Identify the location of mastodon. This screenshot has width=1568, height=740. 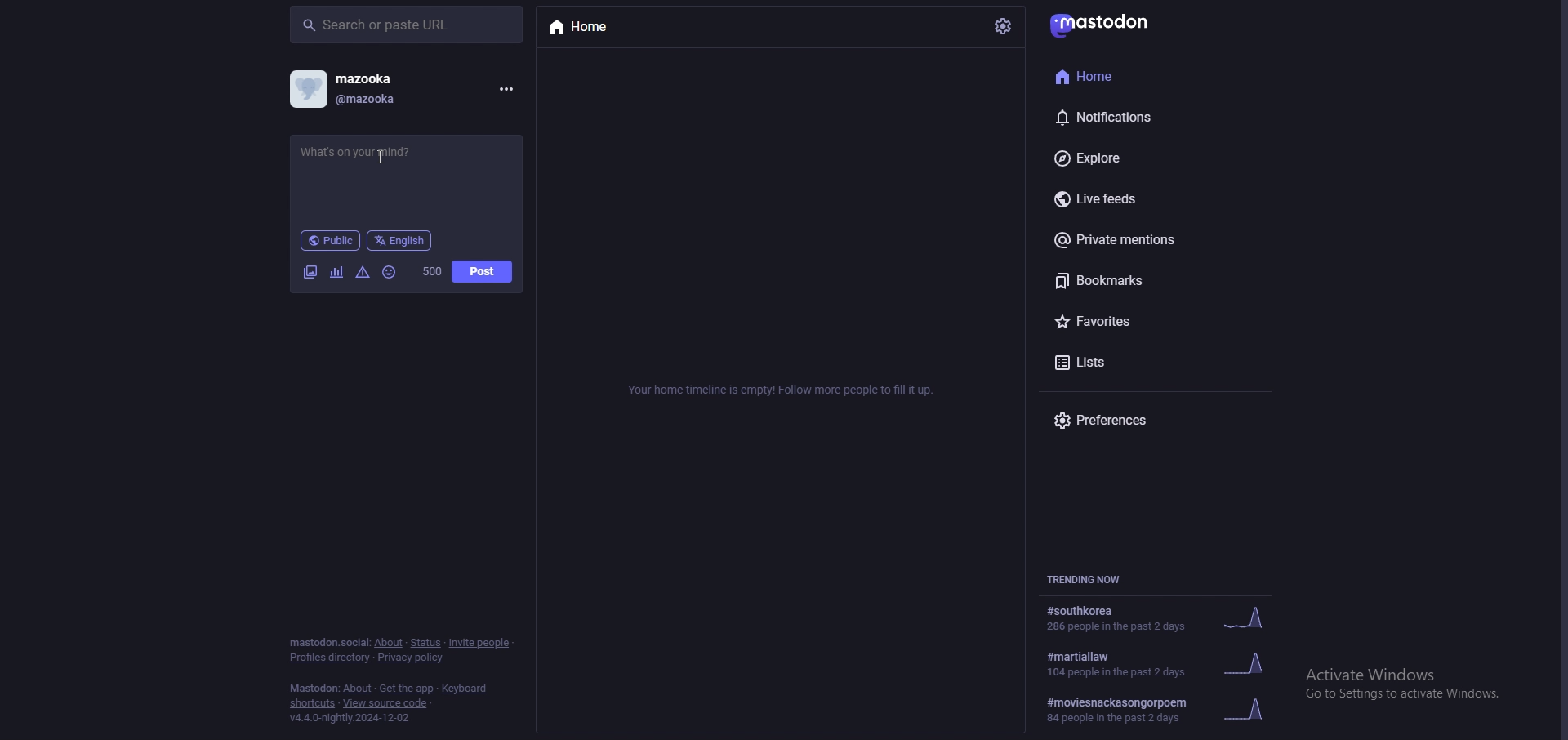
(1112, 25).